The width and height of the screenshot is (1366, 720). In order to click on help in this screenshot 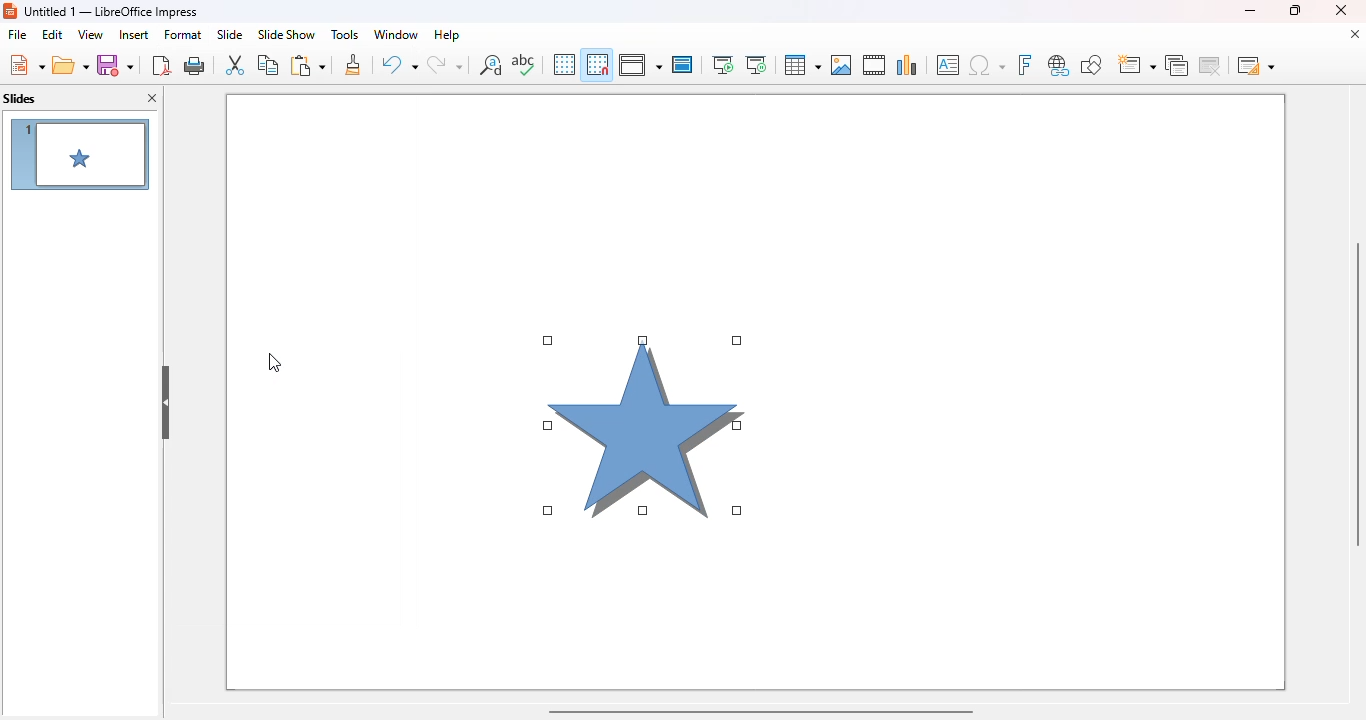, I will do `click(447, 34)`.